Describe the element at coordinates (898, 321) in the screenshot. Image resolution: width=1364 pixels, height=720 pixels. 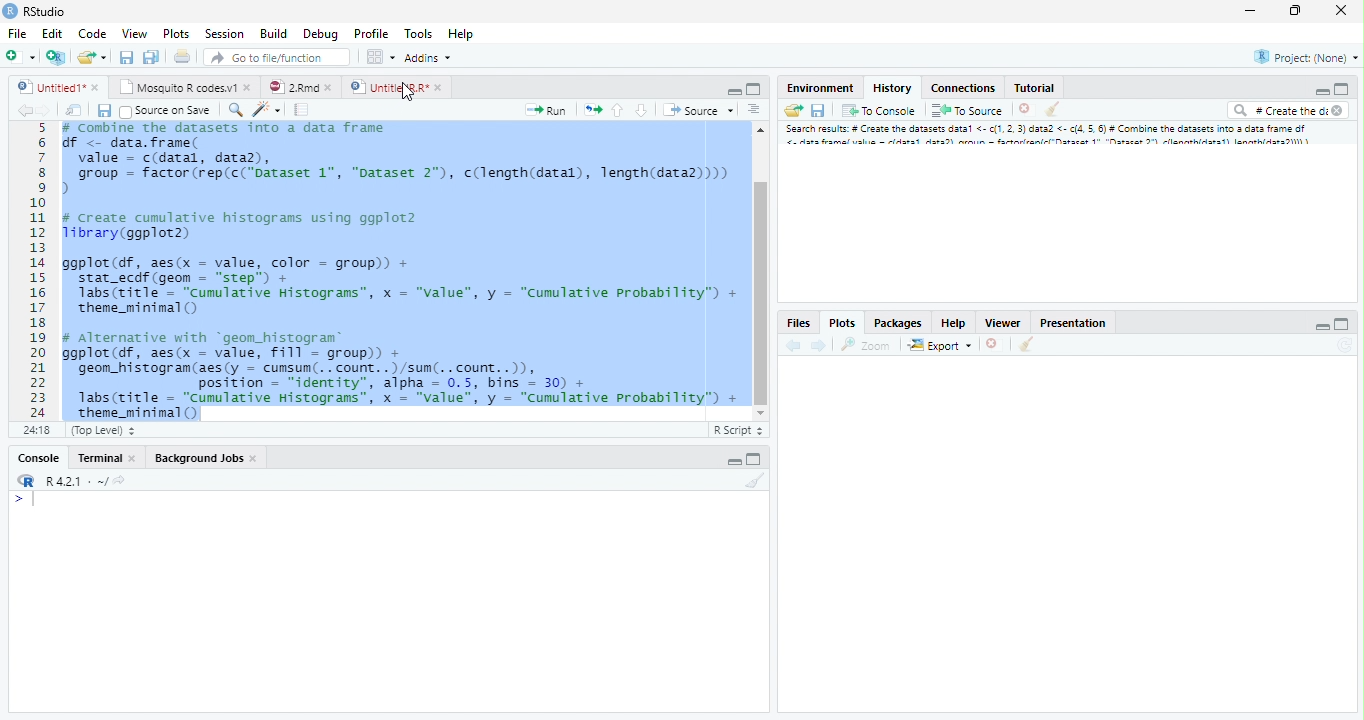
I see `Packages` at that location.